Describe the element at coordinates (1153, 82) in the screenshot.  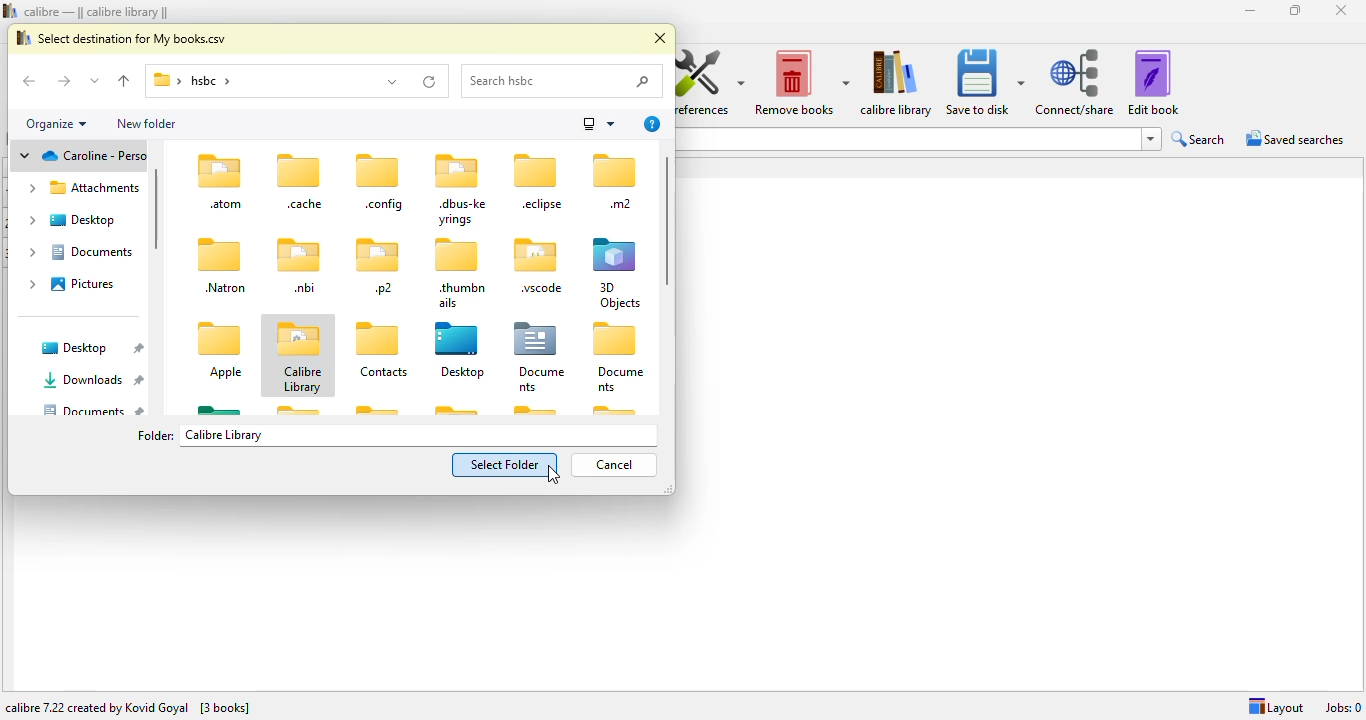
I see `edit book` at that location.